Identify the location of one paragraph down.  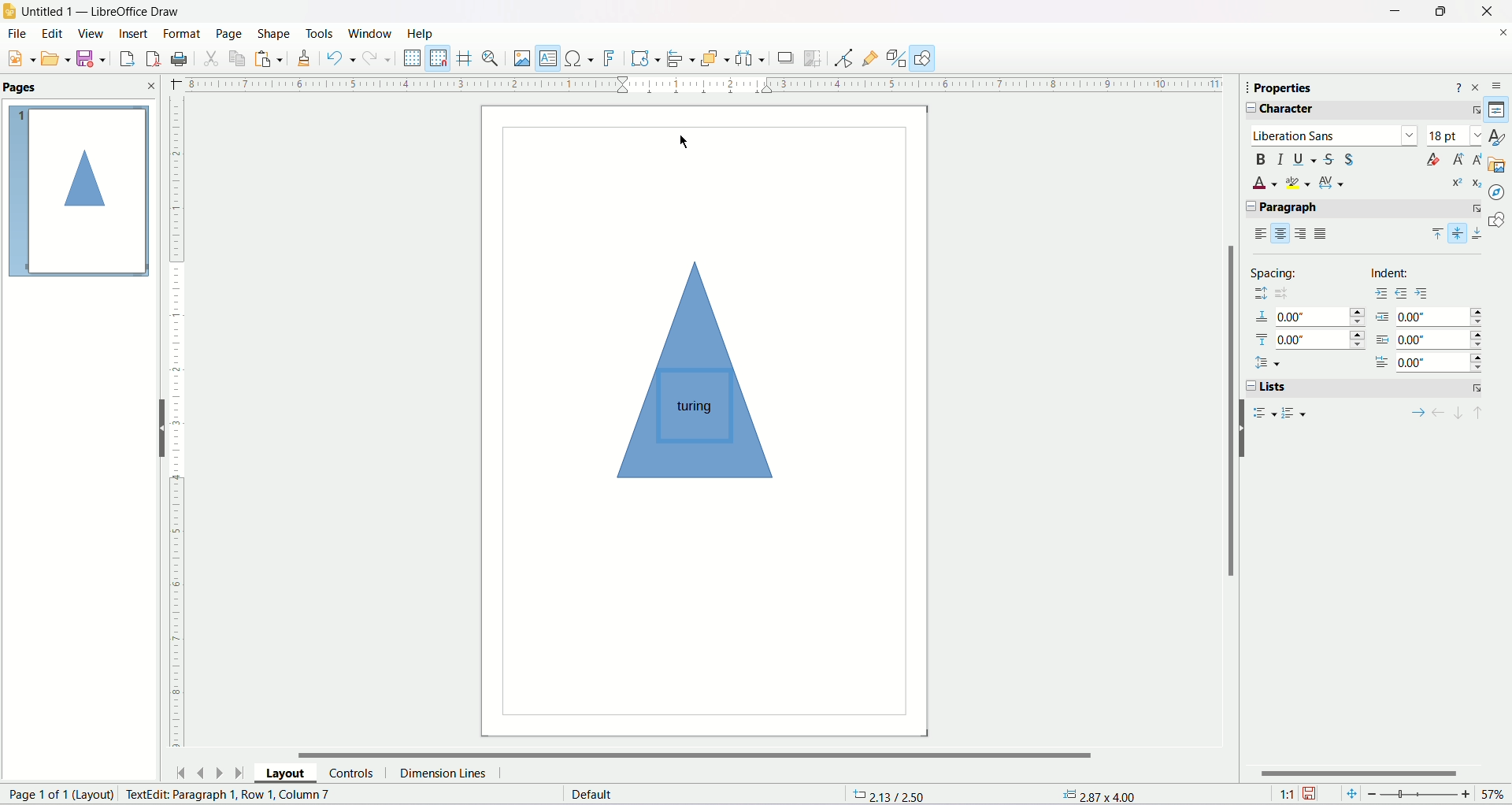
(1459, 414).